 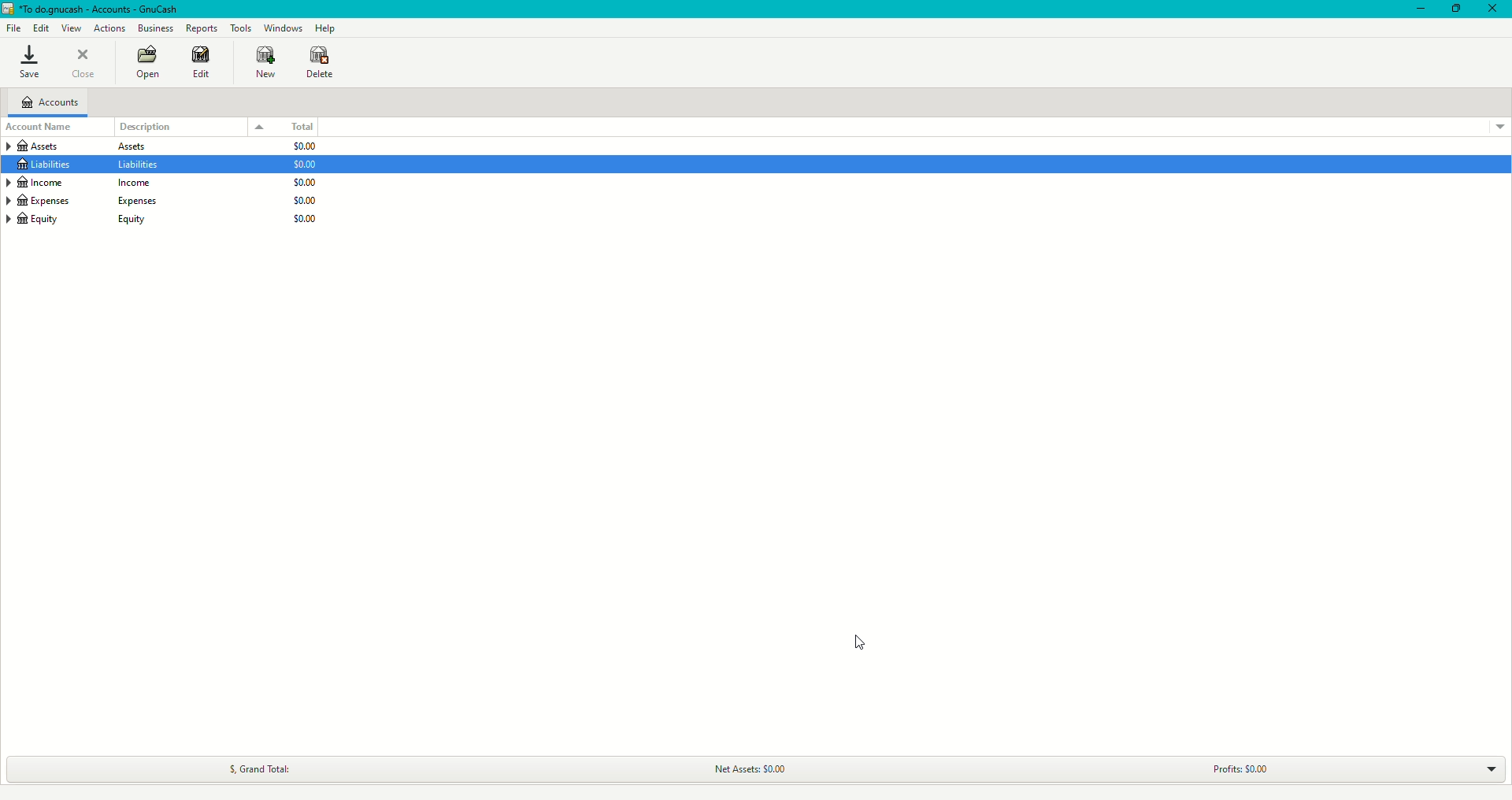 I want to click on Windows, so click(x=283, y=28).